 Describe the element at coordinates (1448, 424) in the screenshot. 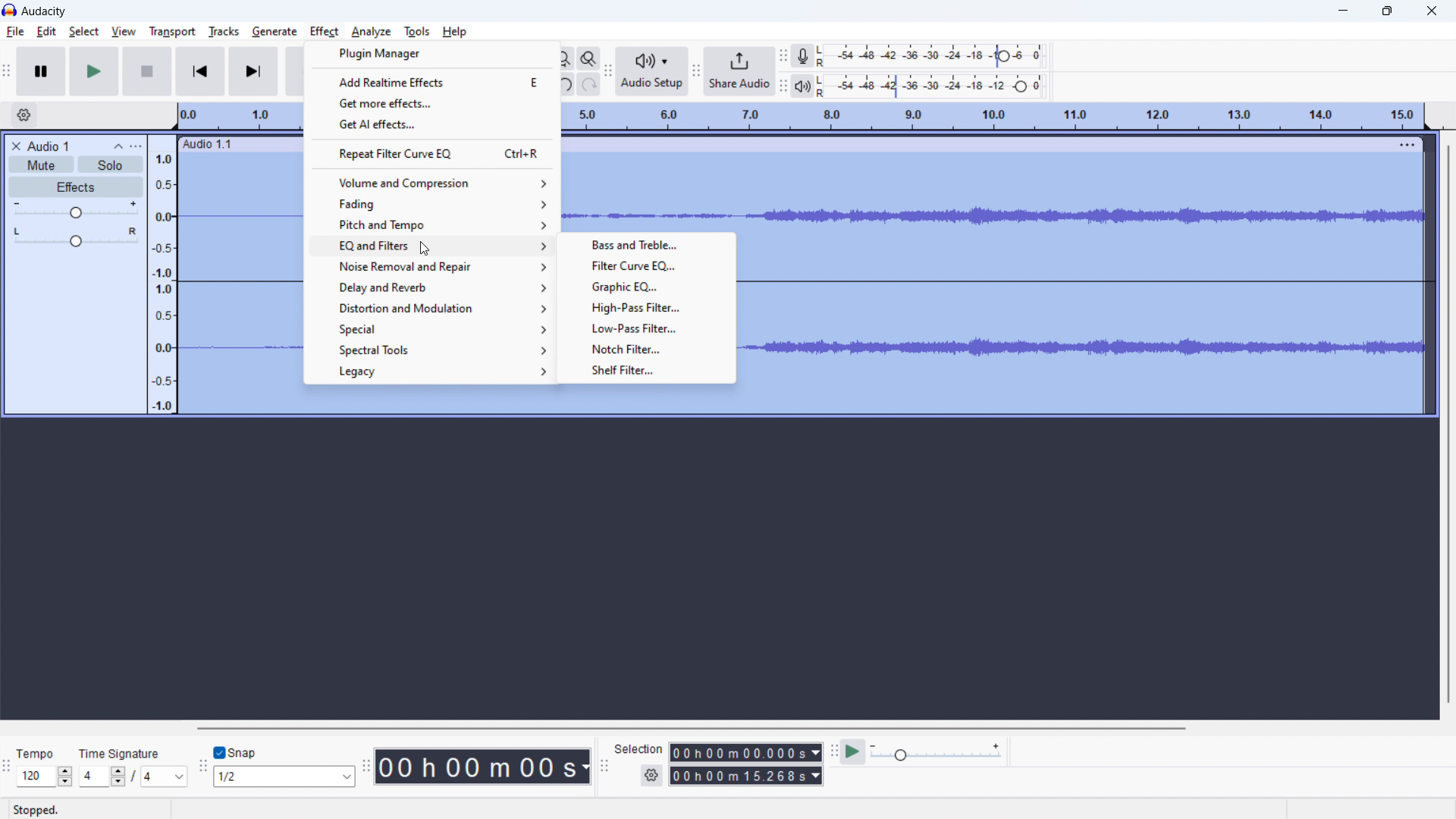

I see `vertical scrollbar` at that location.